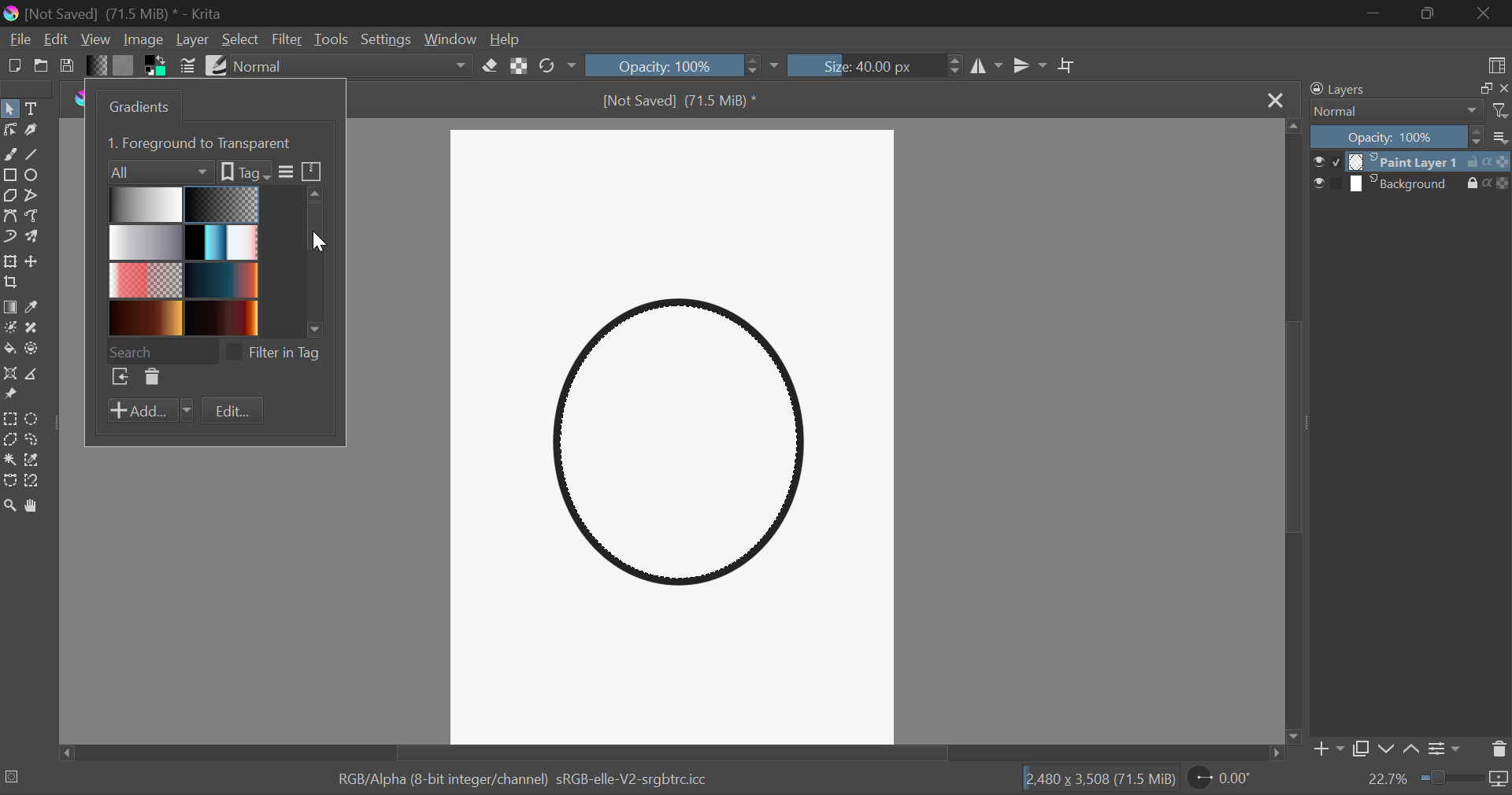  I want to click on Choose Workspace, so click(1496, 65).